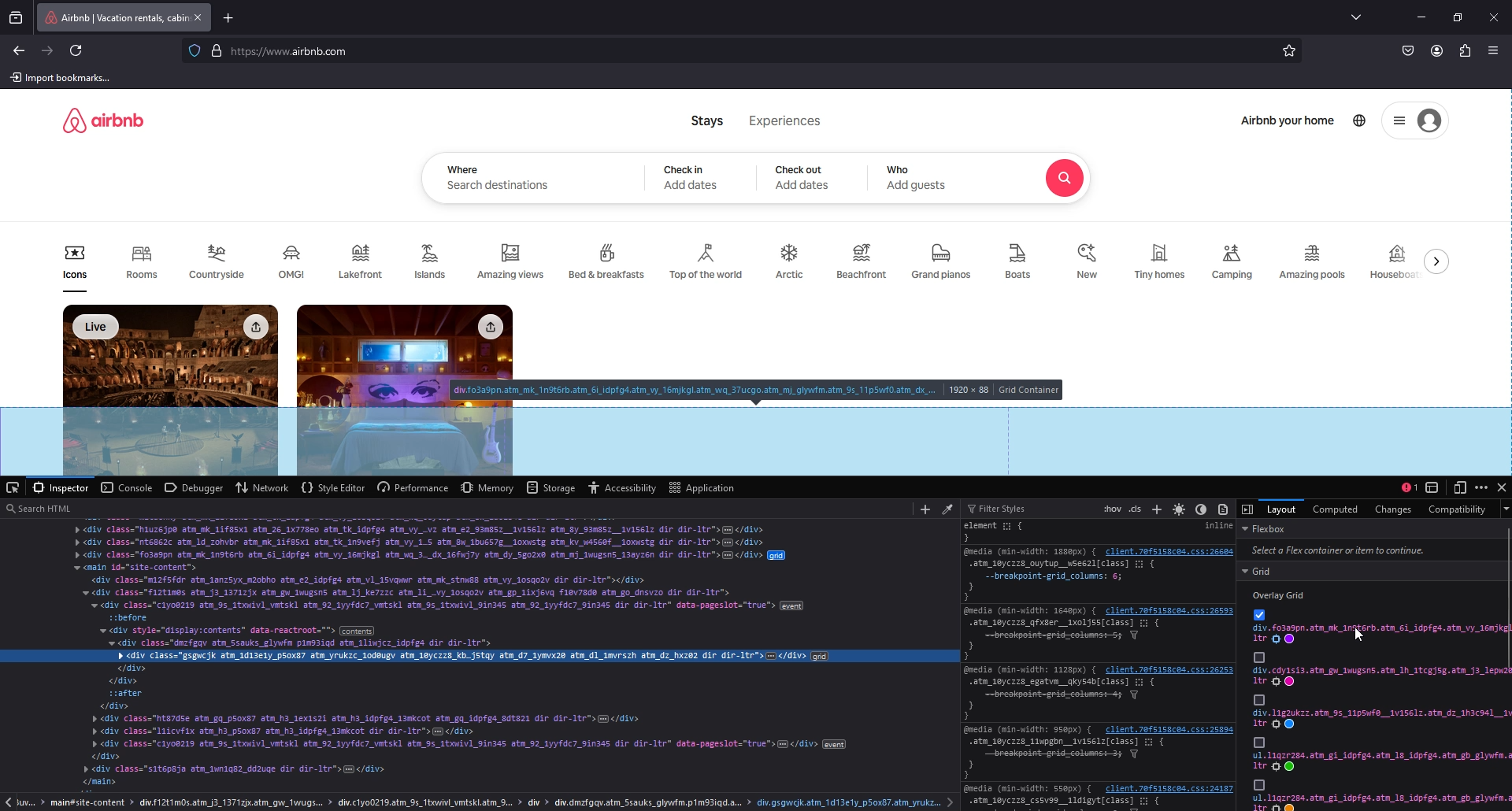  Describe the element at coordinates (1258, 742) in the screenshot. I see `` at that location.